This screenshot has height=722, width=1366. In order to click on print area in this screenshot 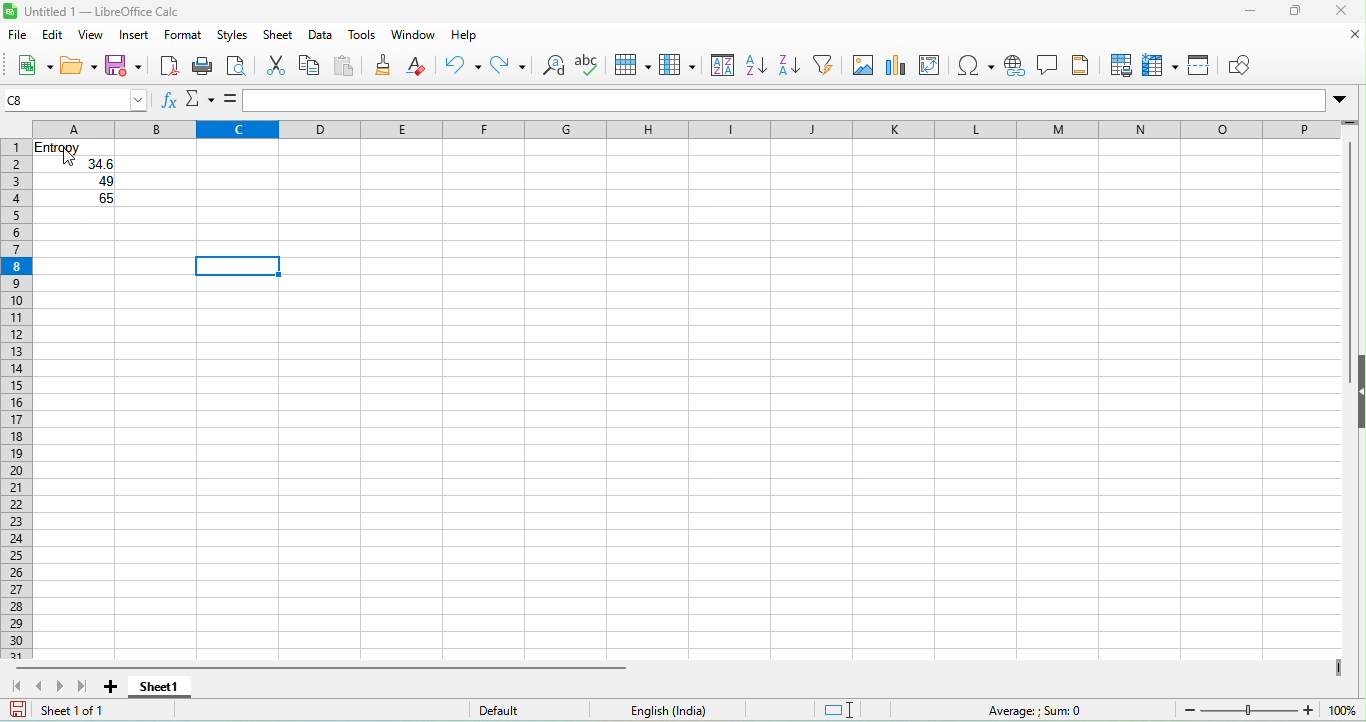, I will do `click(1121, 66)`.